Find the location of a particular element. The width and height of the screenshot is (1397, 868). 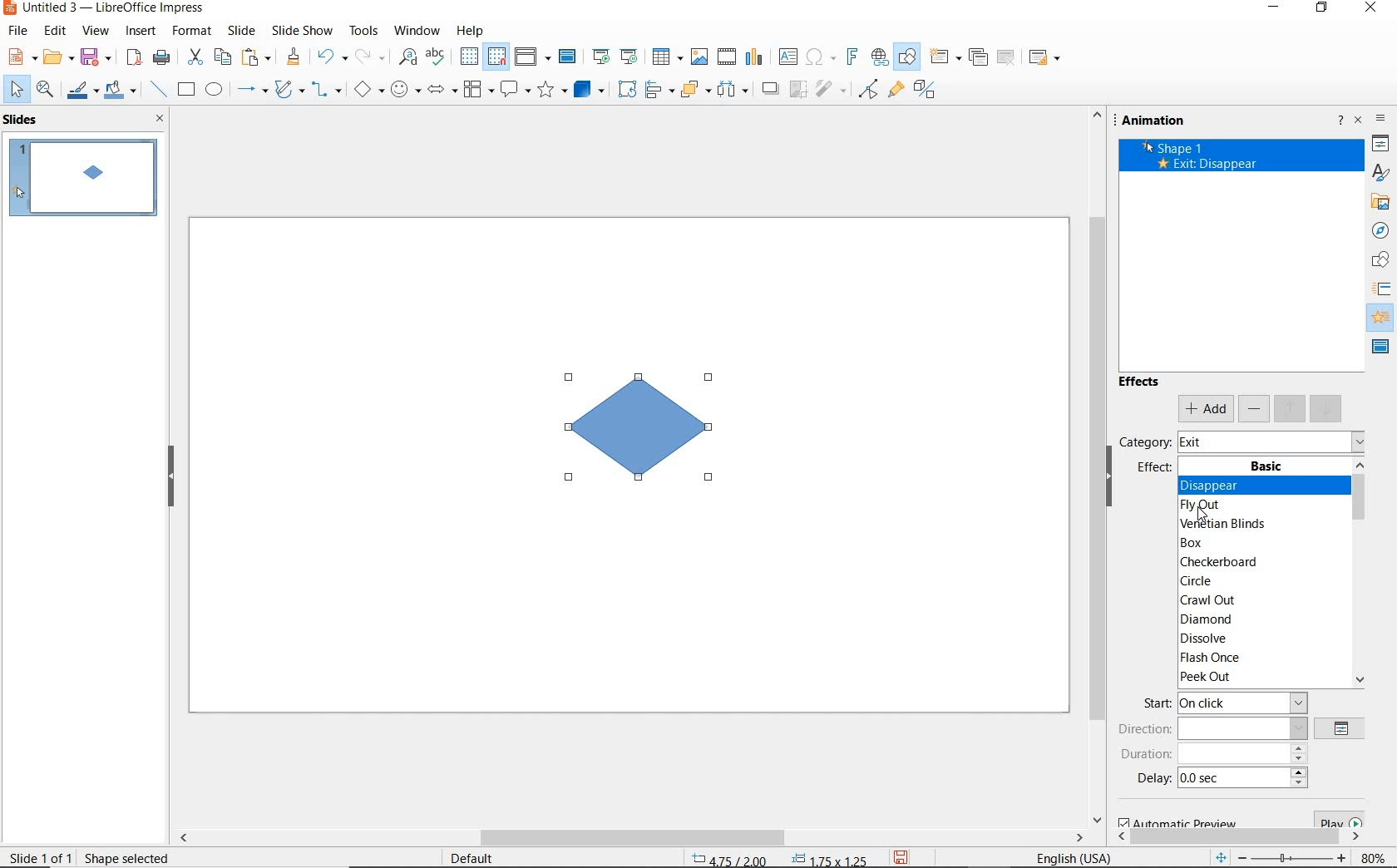

undo is located at coordinates (332, 56).